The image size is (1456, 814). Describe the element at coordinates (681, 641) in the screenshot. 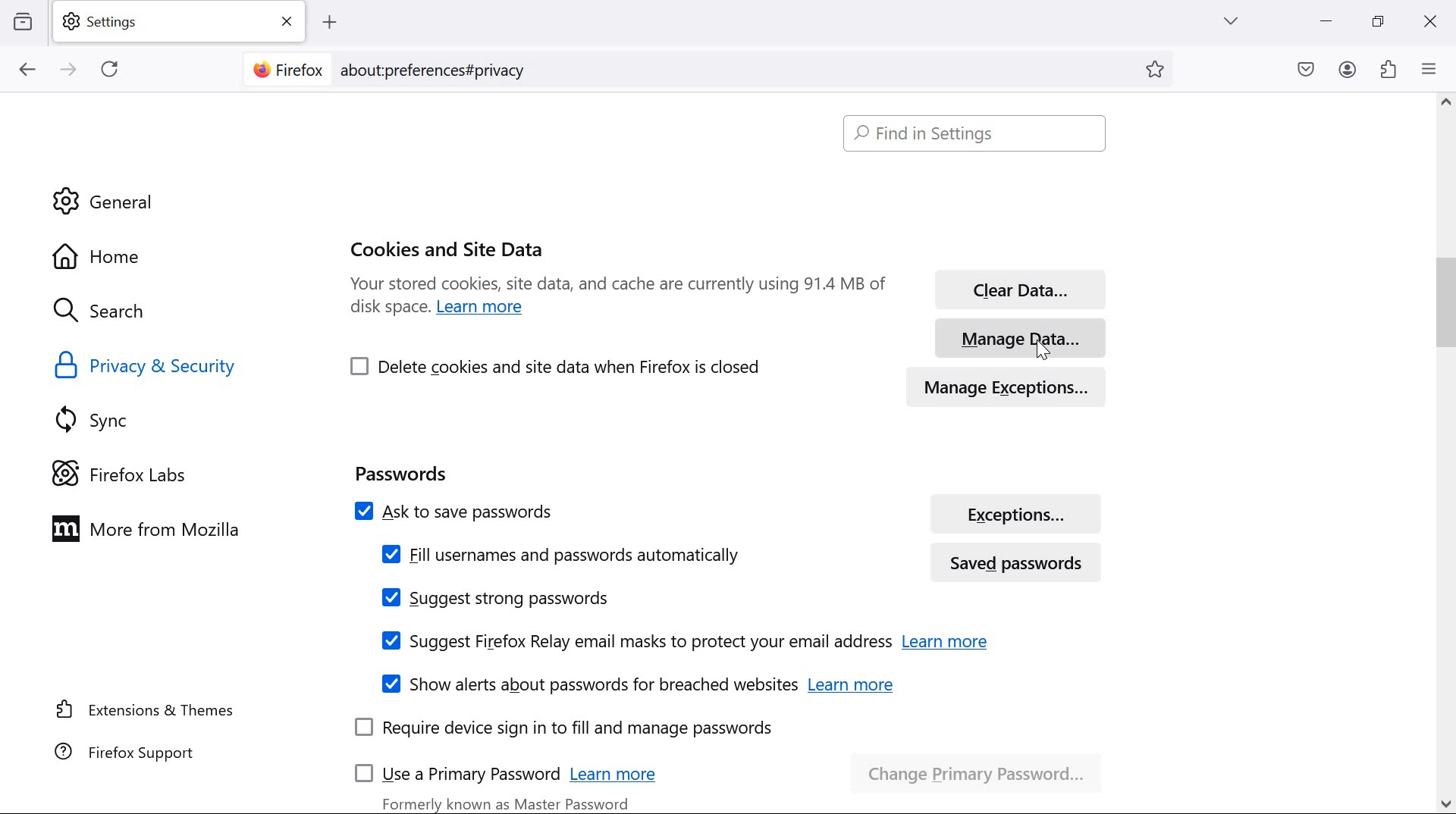

I see `Suggest Firefox Relay email masks to protect your email address Learn more` at that location.